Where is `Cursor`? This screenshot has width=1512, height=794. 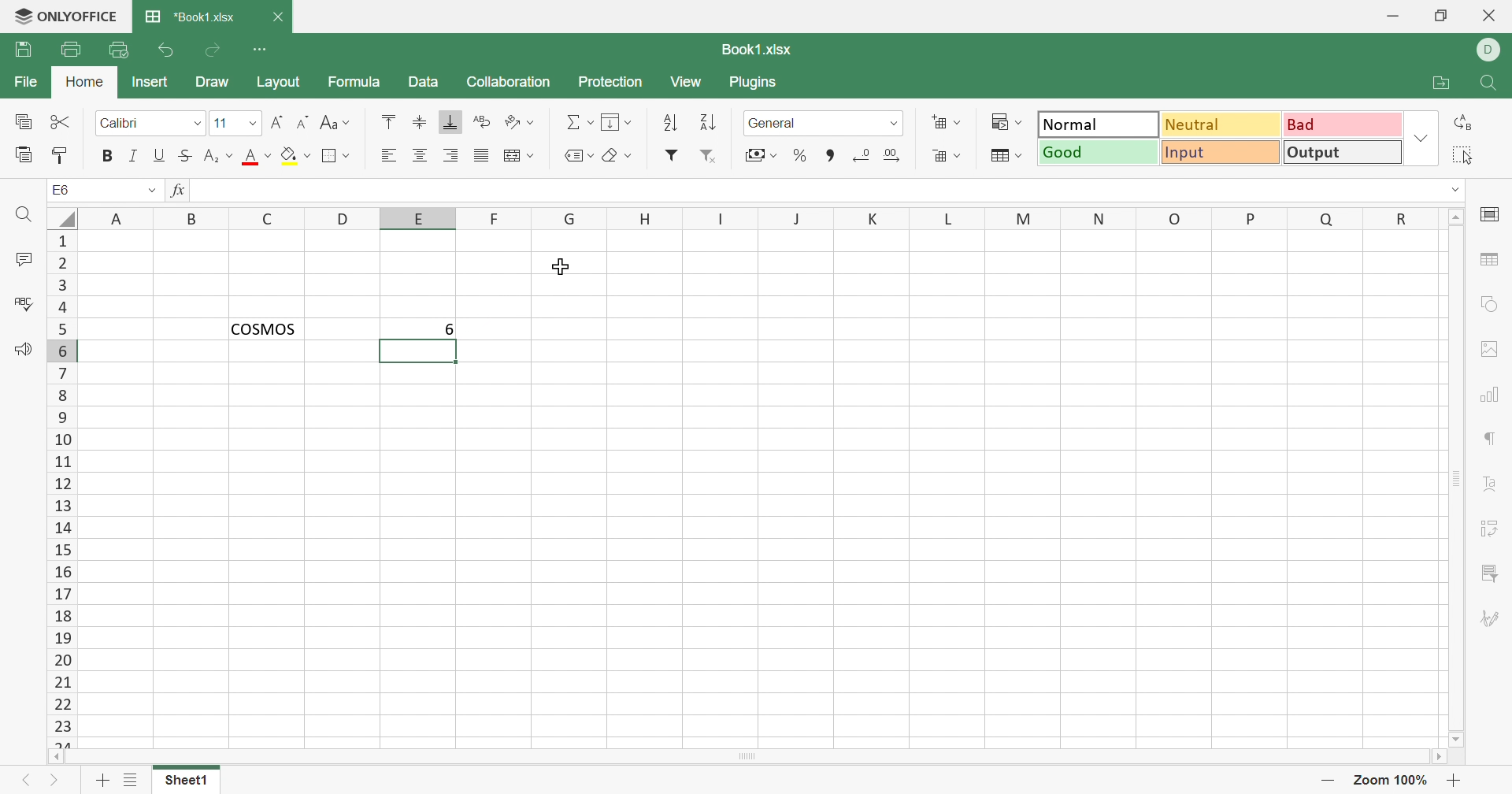 Cursor is located at coordinates (560, 269).